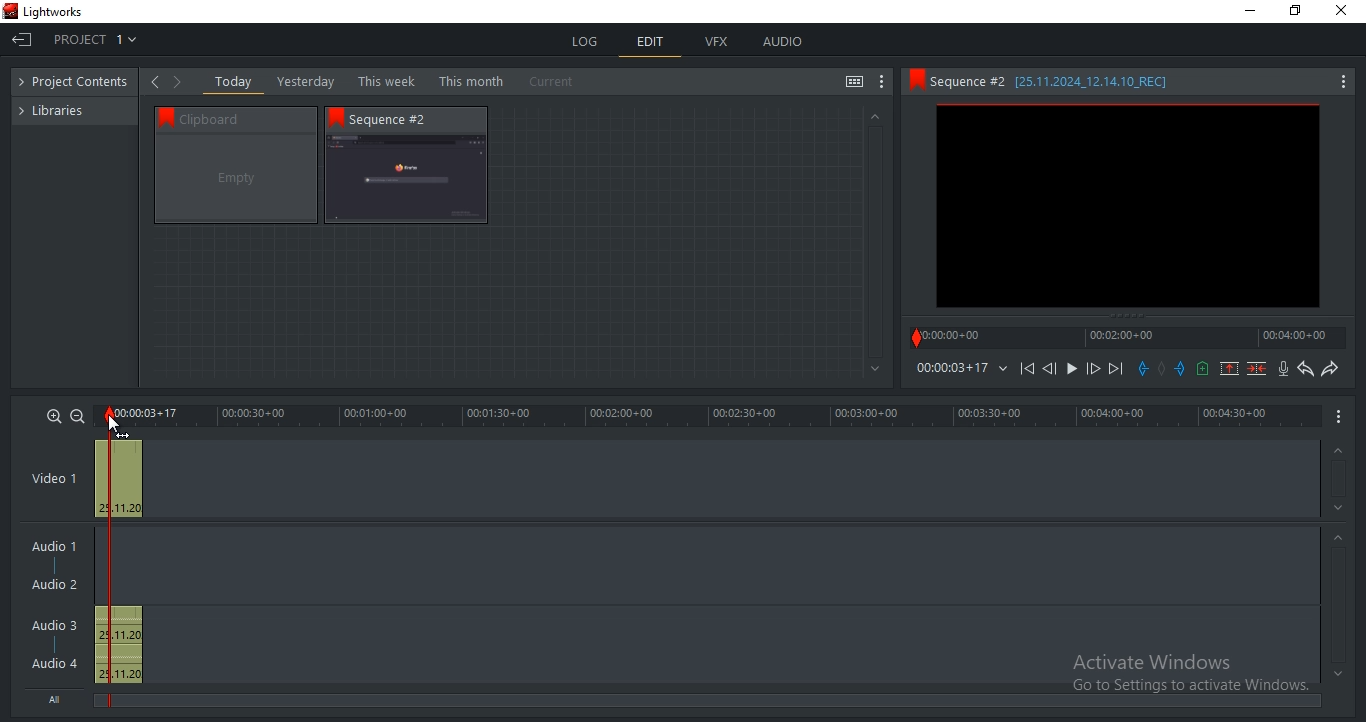 The height and width of the screenshot is (722, 1366). I want to click on Sequence 2 details, so click(1068, 81).